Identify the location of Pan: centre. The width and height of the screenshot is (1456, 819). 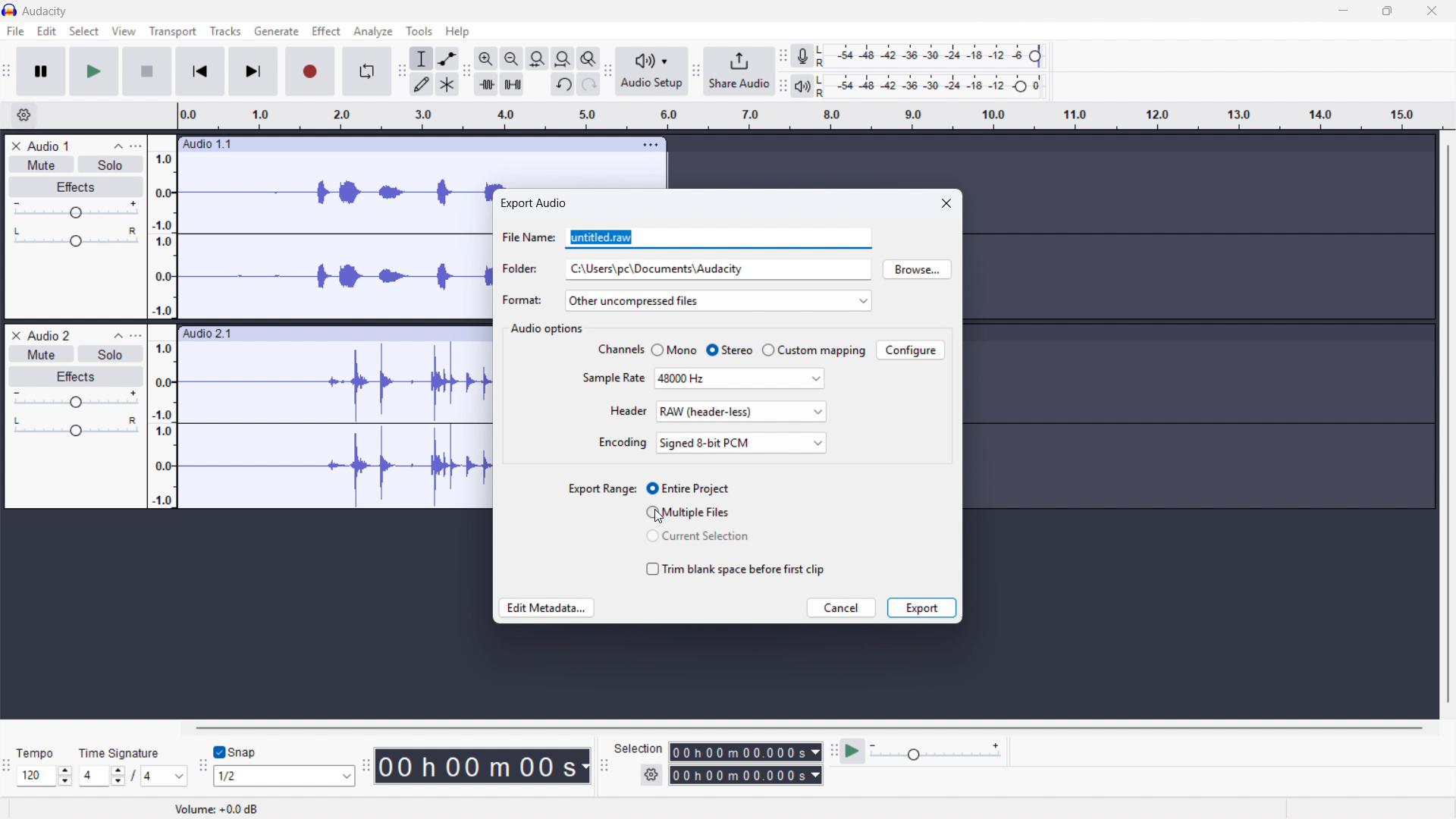
(76, 238).